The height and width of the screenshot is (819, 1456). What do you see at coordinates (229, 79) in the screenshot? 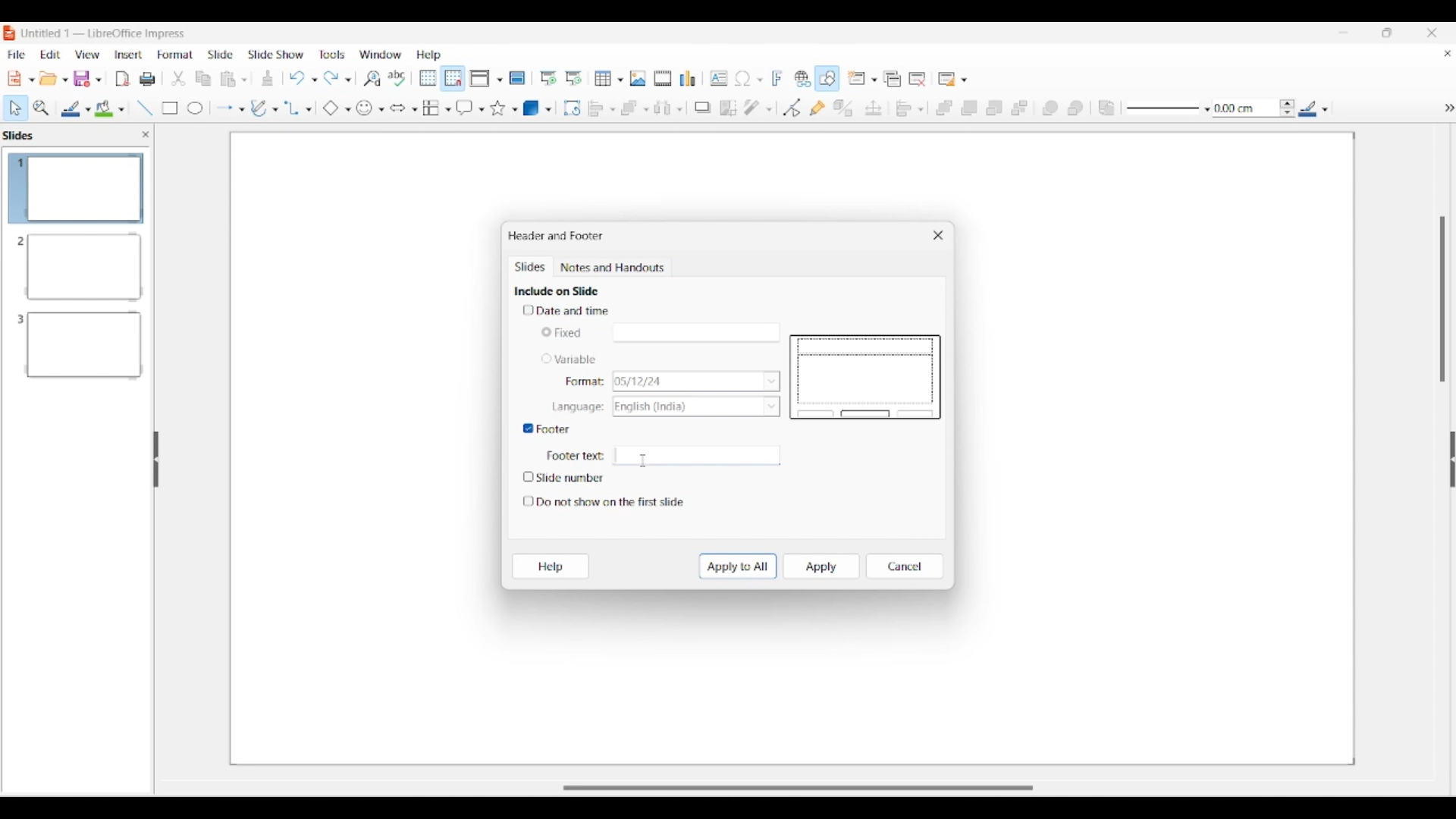
I see `Clipboard` at bounding box center [229, 79].